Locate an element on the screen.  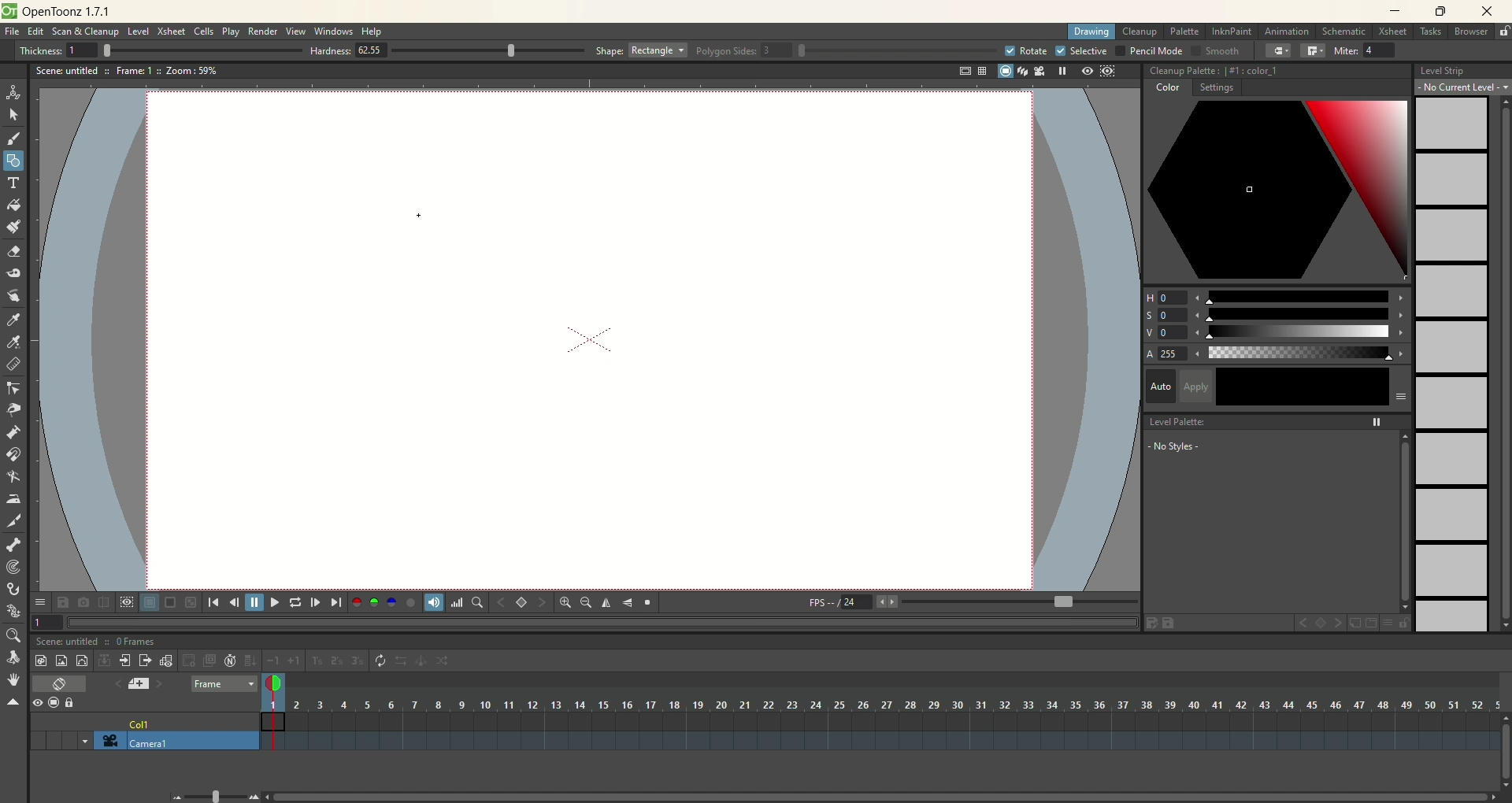
scene untitled :: Frame 1 :: Zoom 51%  is located at coordinates (127, 72).